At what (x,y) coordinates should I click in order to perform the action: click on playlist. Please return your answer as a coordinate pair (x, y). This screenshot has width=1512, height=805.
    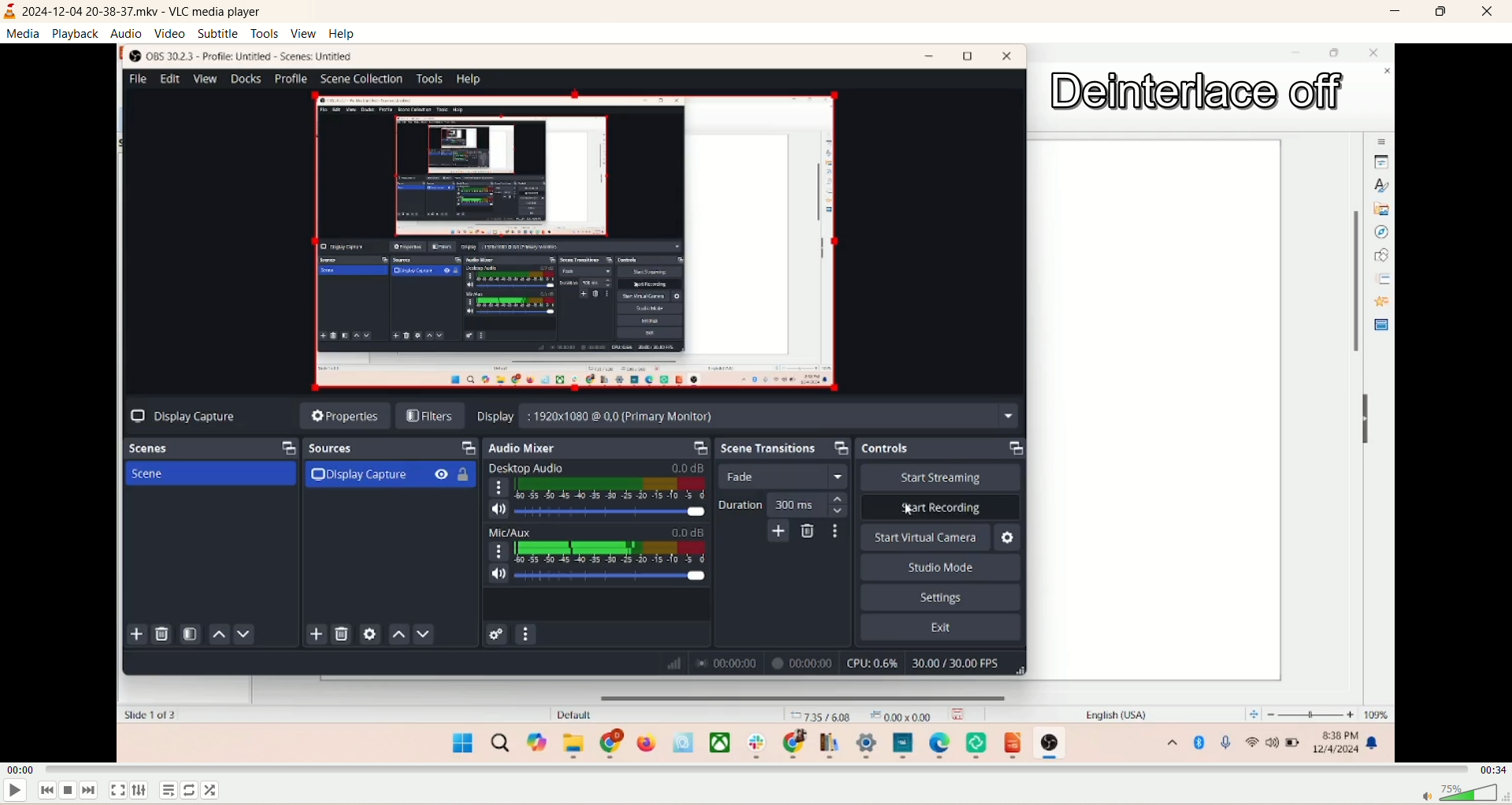
    Looking at the image, I should click on (167, 789).